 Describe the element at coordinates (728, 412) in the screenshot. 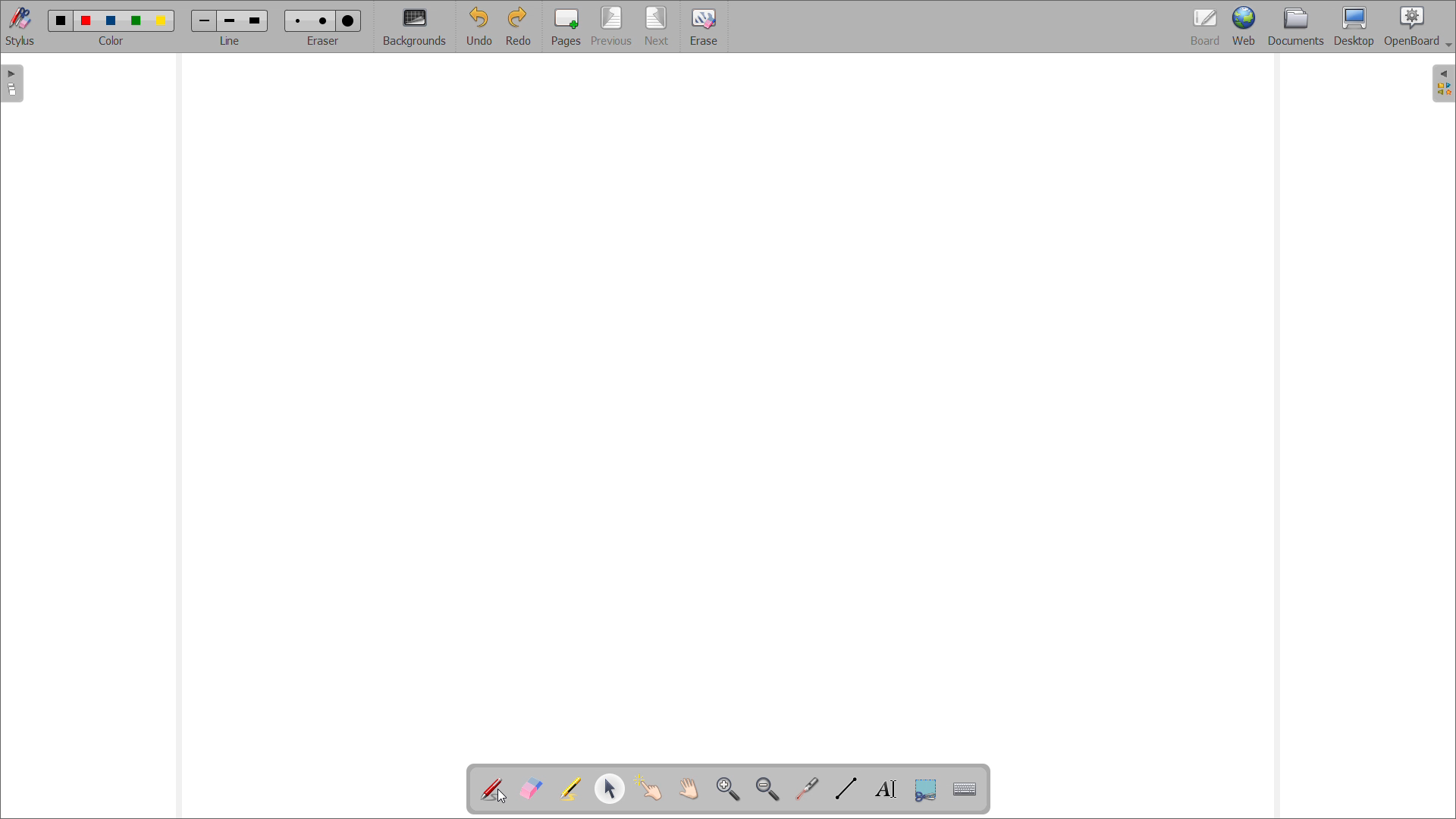

I see `board space` at that location.